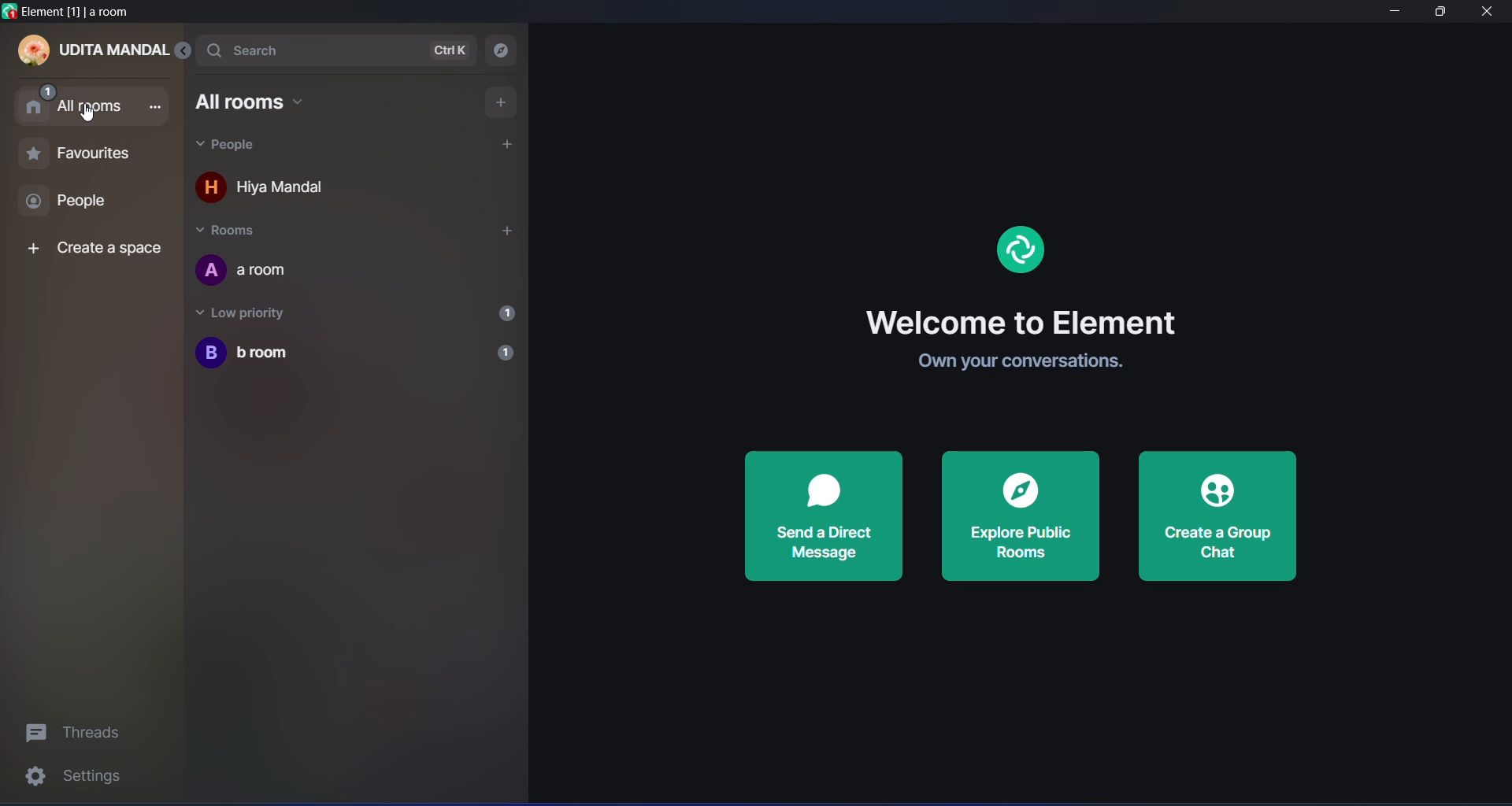 Image resolution: width=1512 pixels, height=806 pixels. What do you see at coordinates (355, 353) in the screenshot?
I see `B broom 1` at bounding box center [355, 353].